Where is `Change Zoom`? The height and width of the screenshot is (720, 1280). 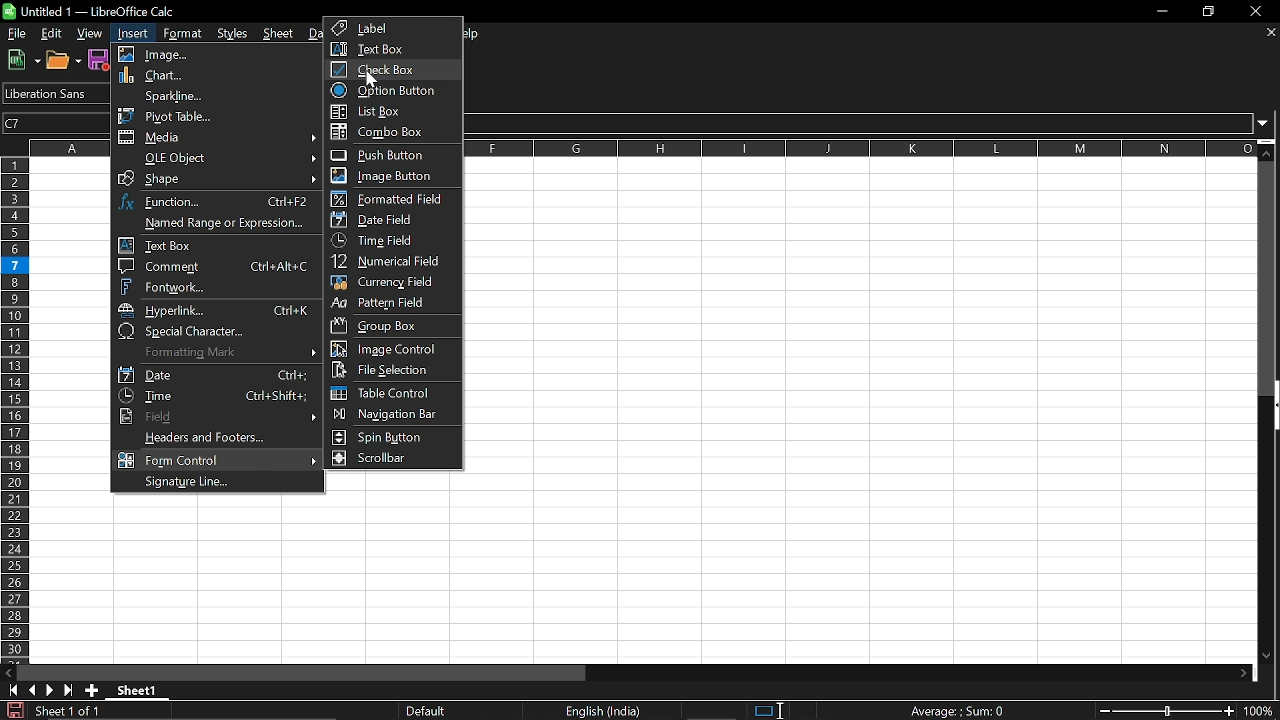 Change Zoom is located at coordinates (1168, 711).